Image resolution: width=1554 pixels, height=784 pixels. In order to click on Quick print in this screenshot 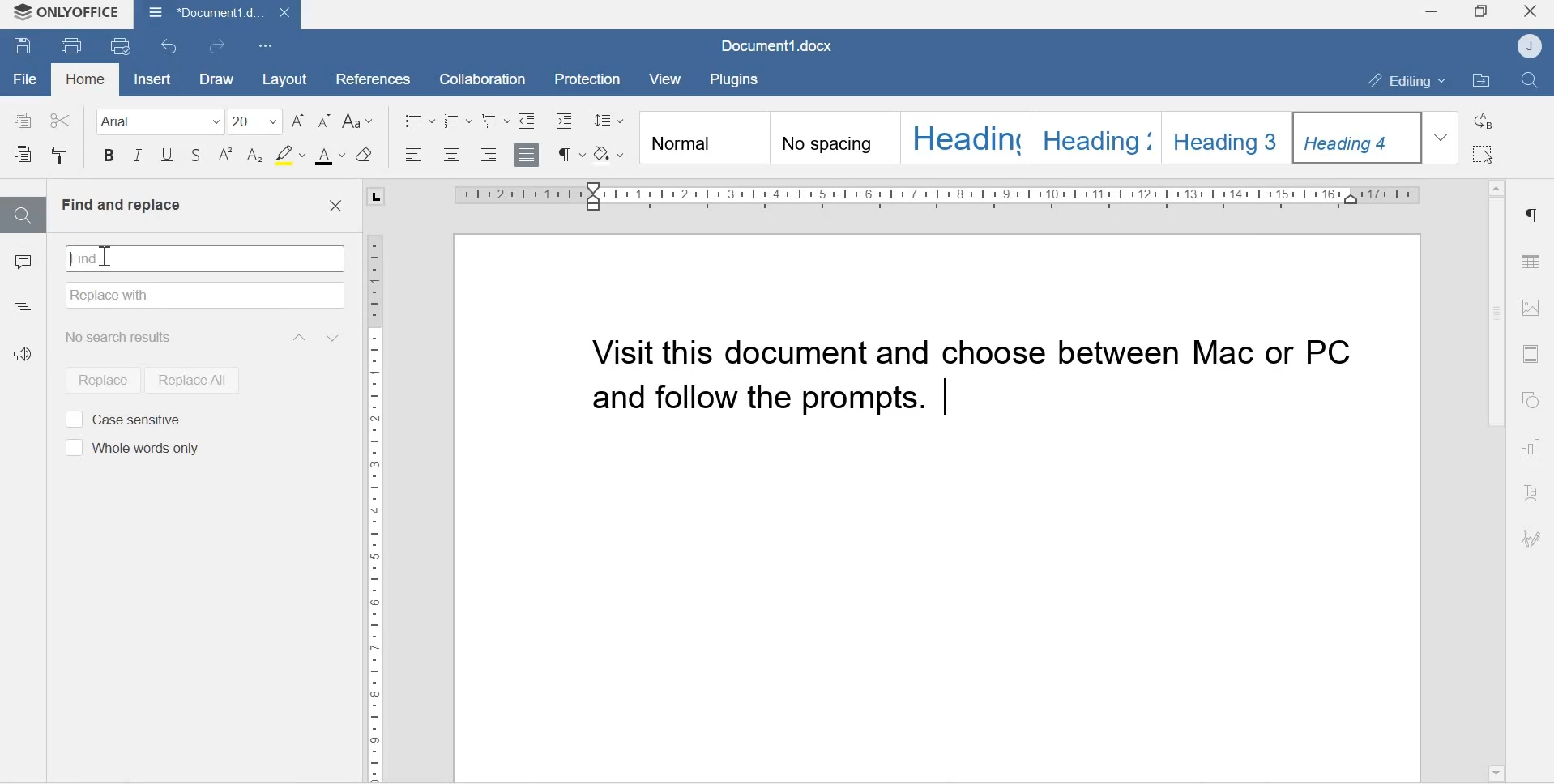, I will do `click(122, 47)`.